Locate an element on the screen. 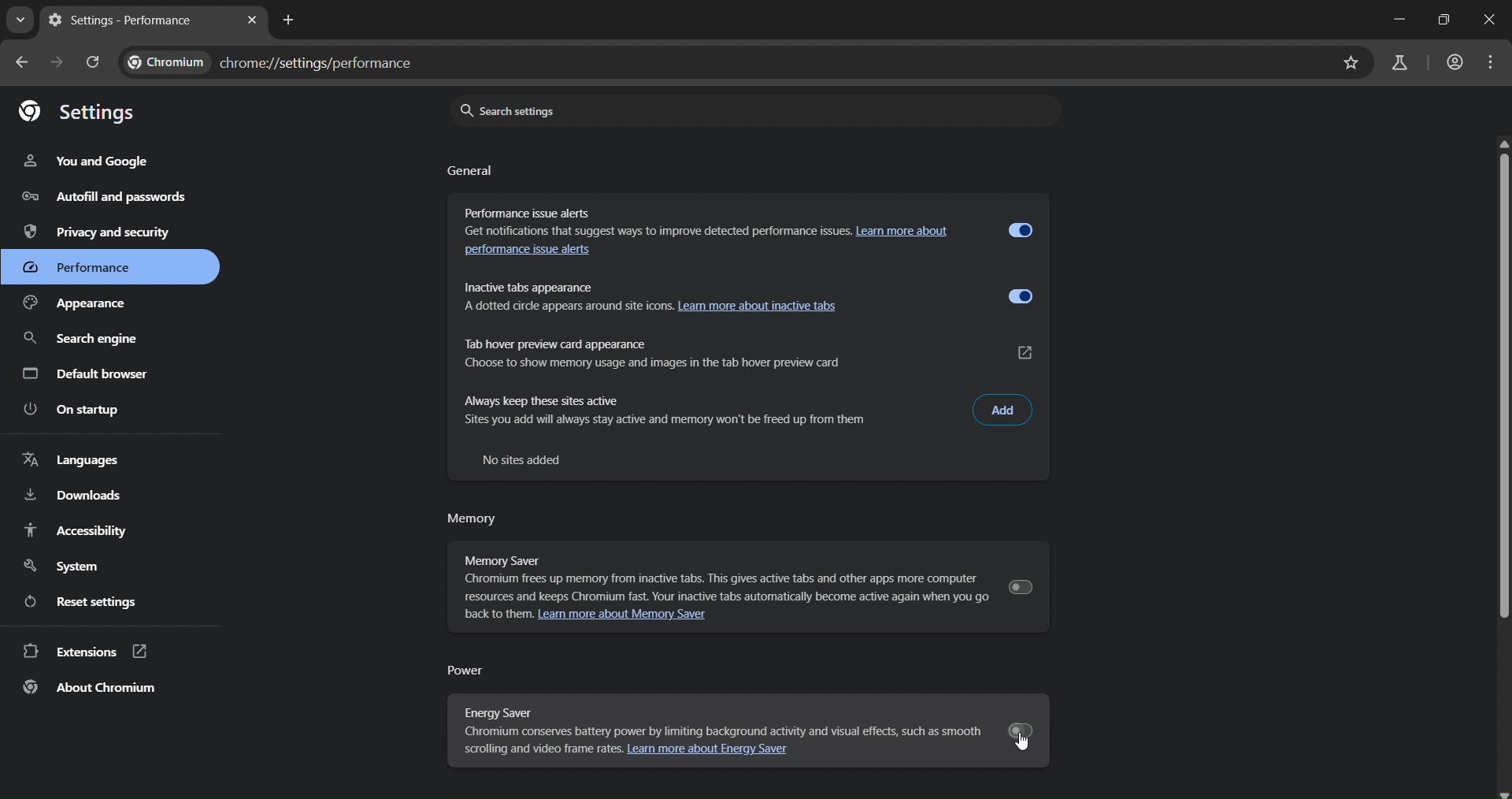 The width and height of the screenshot is (1512, 799). account is located at coordinates (1453, 61).